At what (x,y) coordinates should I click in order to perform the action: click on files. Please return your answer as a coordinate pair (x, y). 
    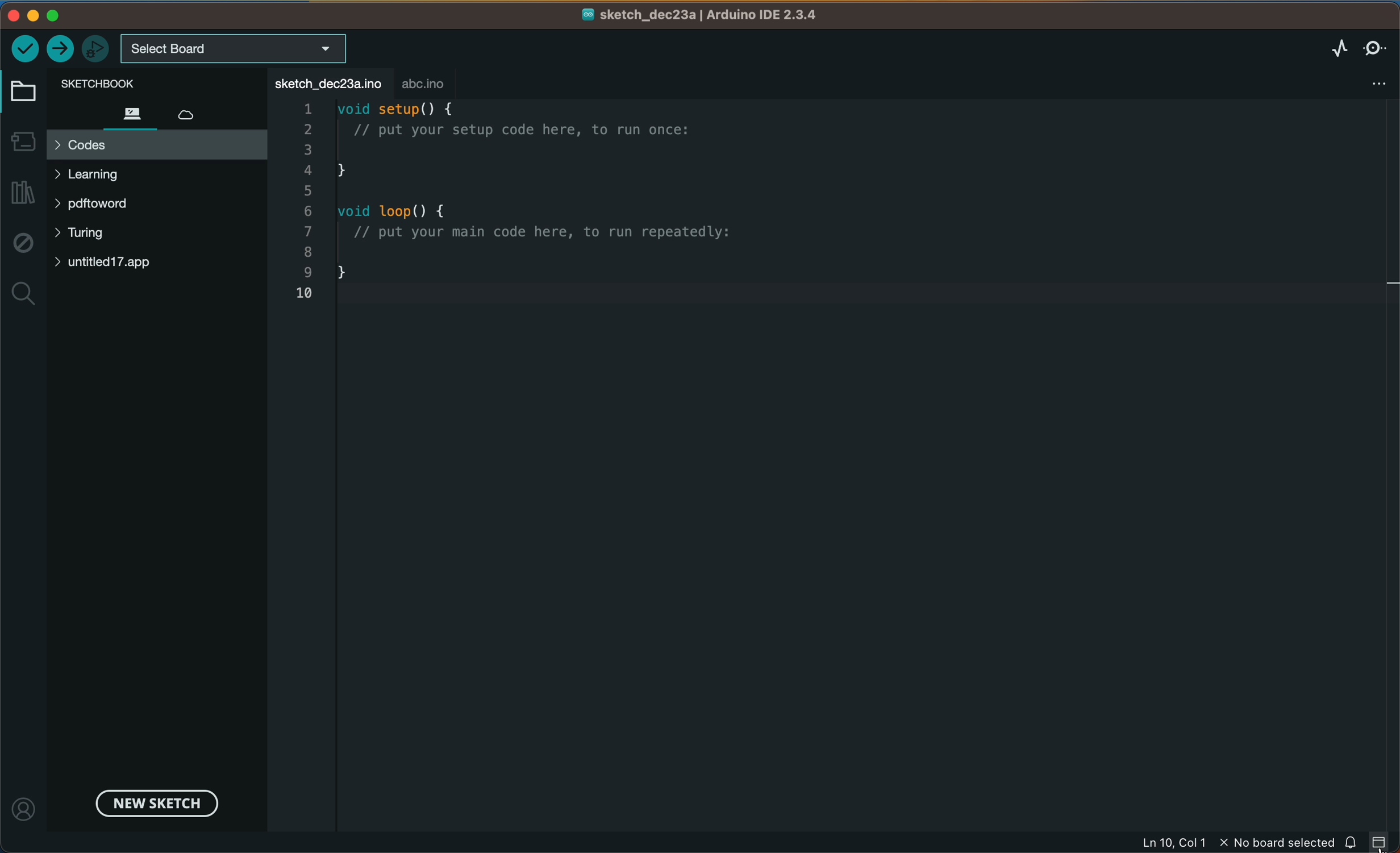
    Looking at the image, I should click on (136, 112).